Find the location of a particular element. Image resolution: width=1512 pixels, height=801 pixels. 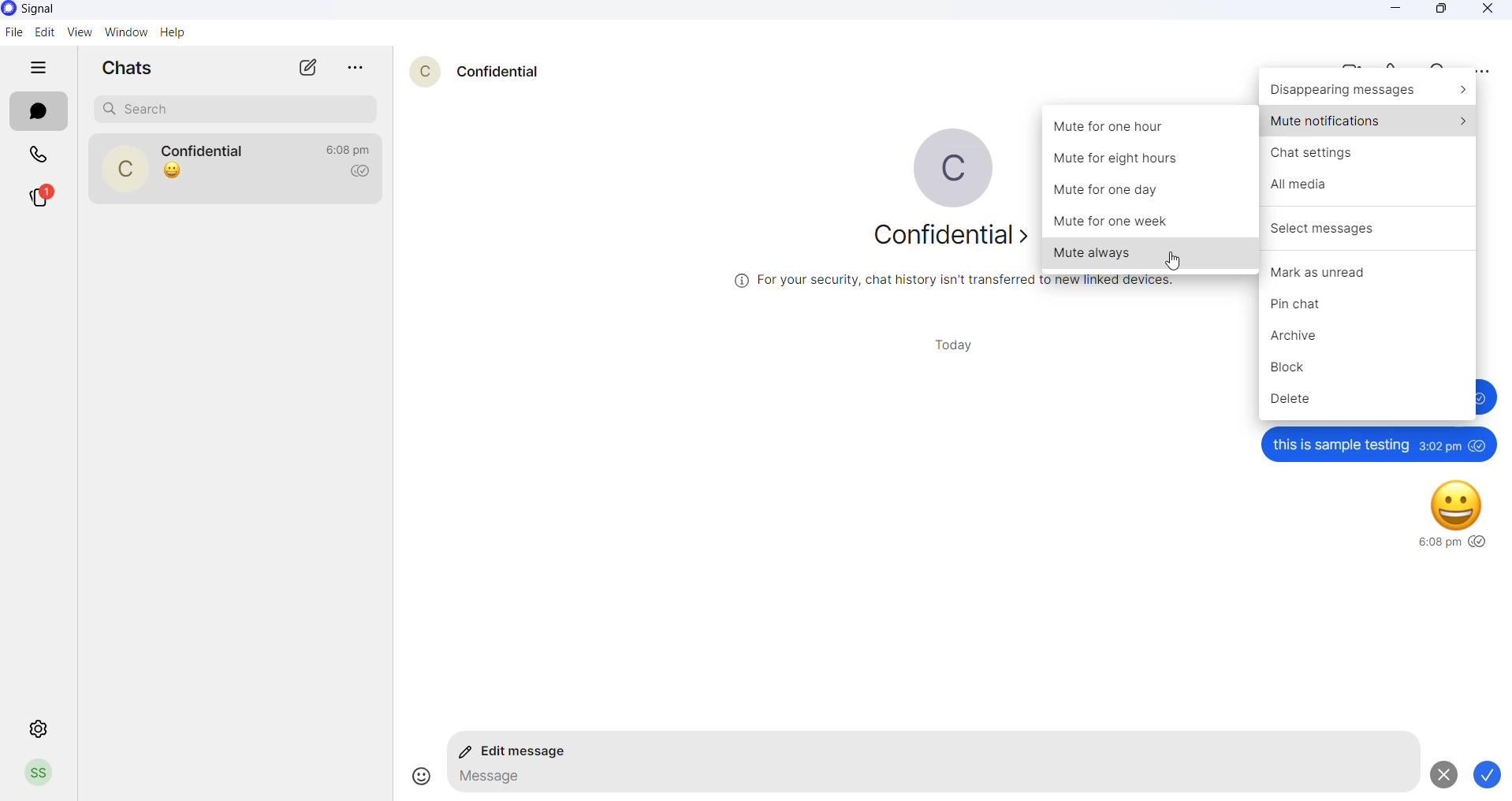

profile picture is located at coordinates (942, 170).